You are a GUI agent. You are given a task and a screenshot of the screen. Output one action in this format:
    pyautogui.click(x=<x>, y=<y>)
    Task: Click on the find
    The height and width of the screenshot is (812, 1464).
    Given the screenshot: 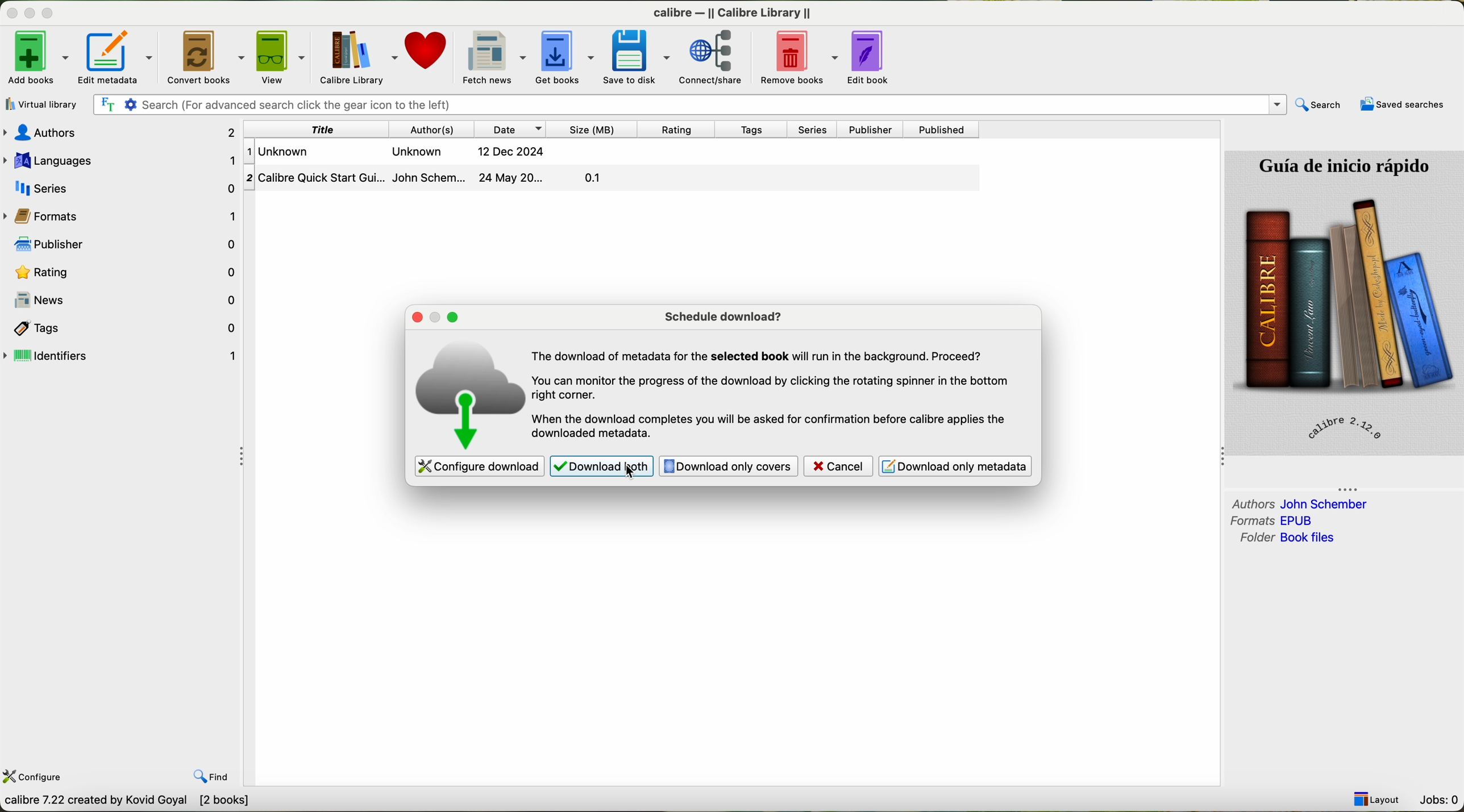 What is the action you would take?
    pyautogui.click(x=212, y=776)
    